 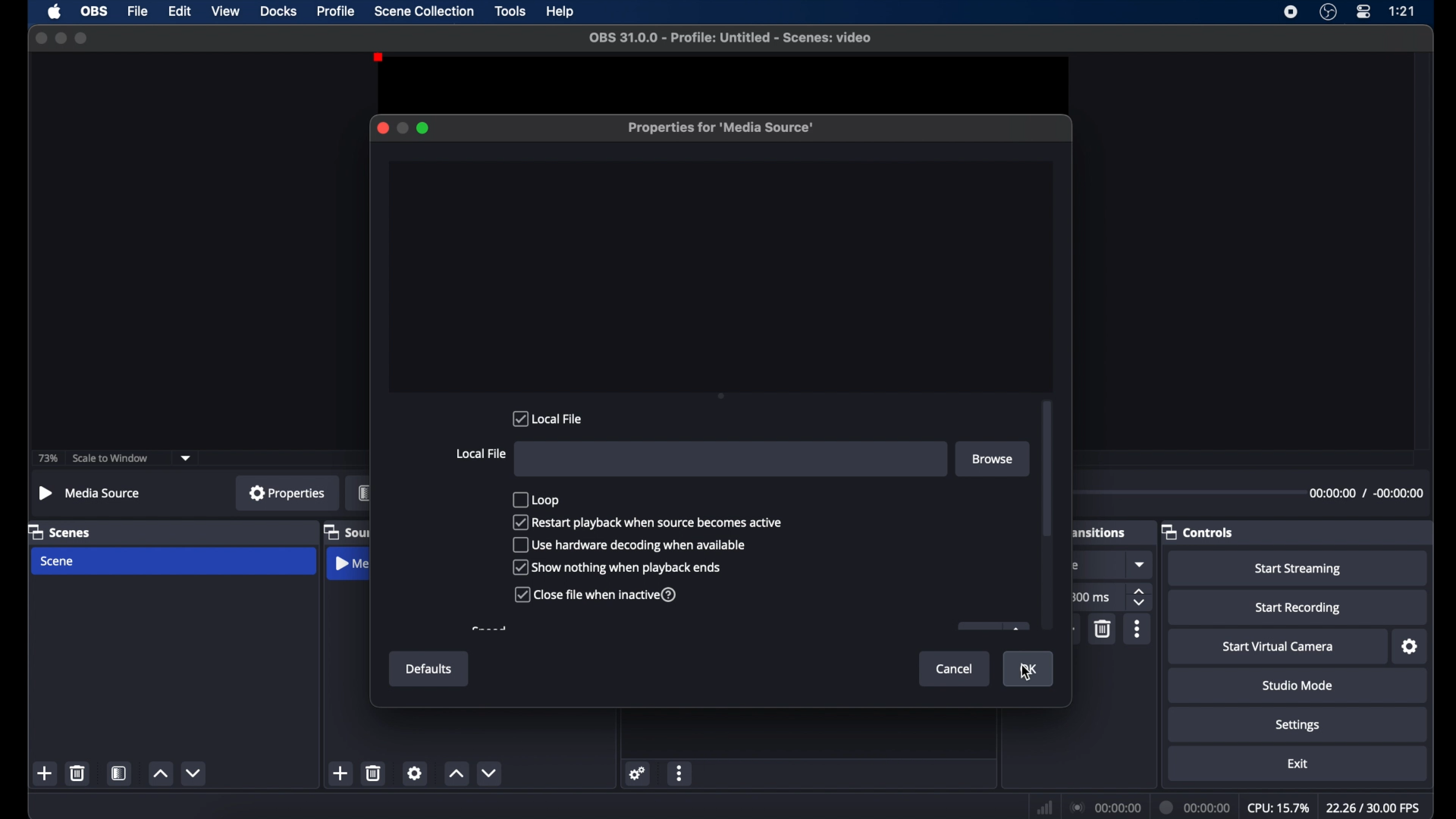 What do you see at coordinates (1047, 468) in the screenshot?
I see `scroll box` at bounding box center [1047, 468].